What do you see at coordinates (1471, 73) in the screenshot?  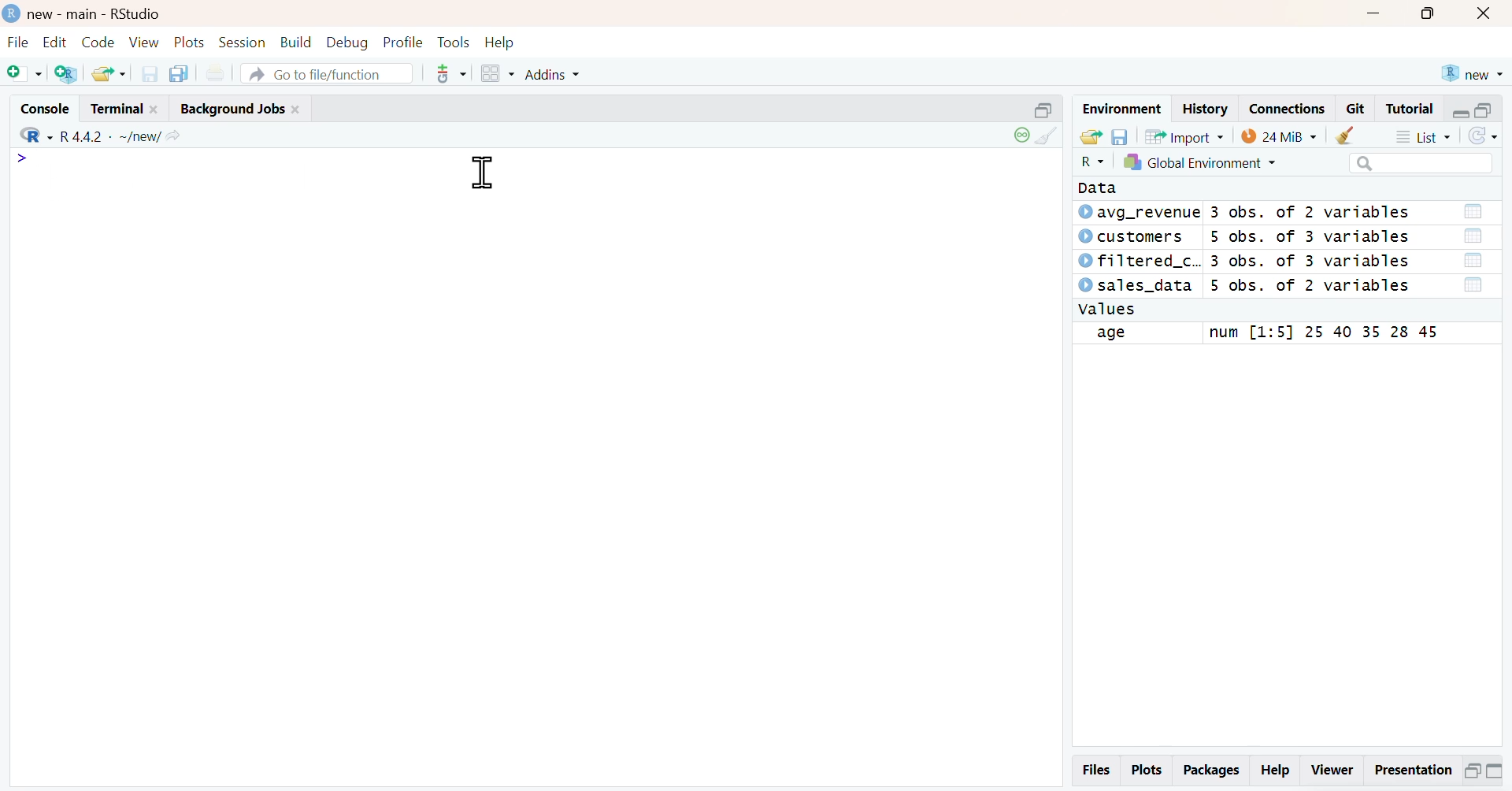 I see `new project` at bounding box center [1471, 73].